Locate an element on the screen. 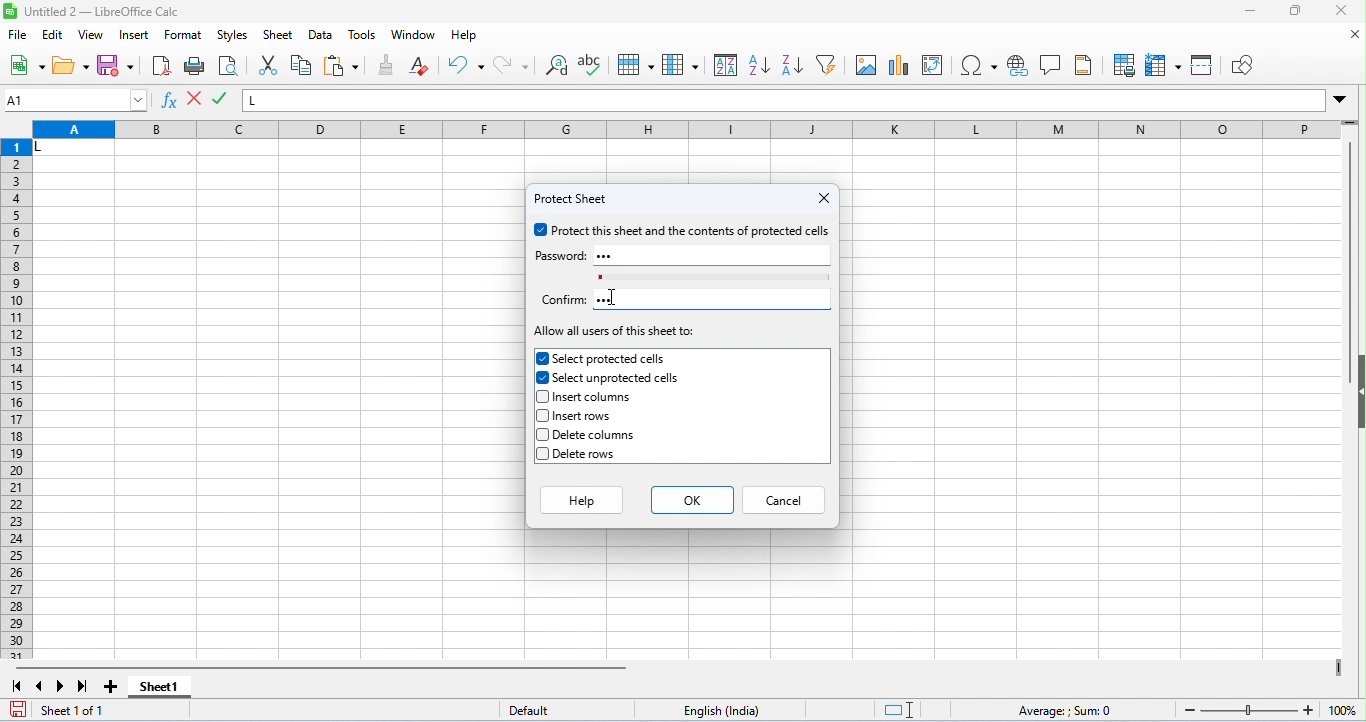 This screenshot has width=1366, height=722. protect this sheet and the contents of protected cells is located at coordinates (683, 231).